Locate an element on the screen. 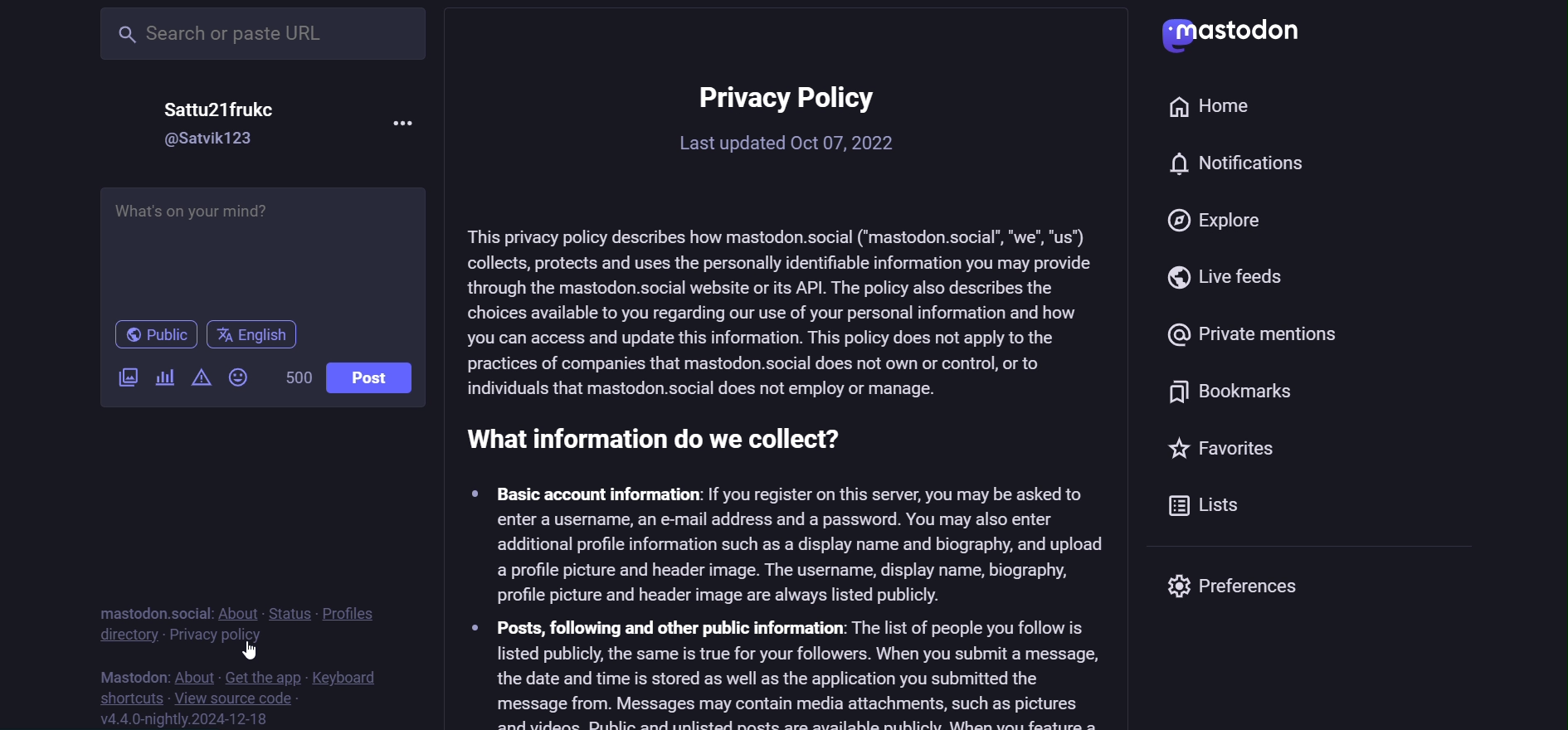  mastodon is located at coordinates (134, 674).